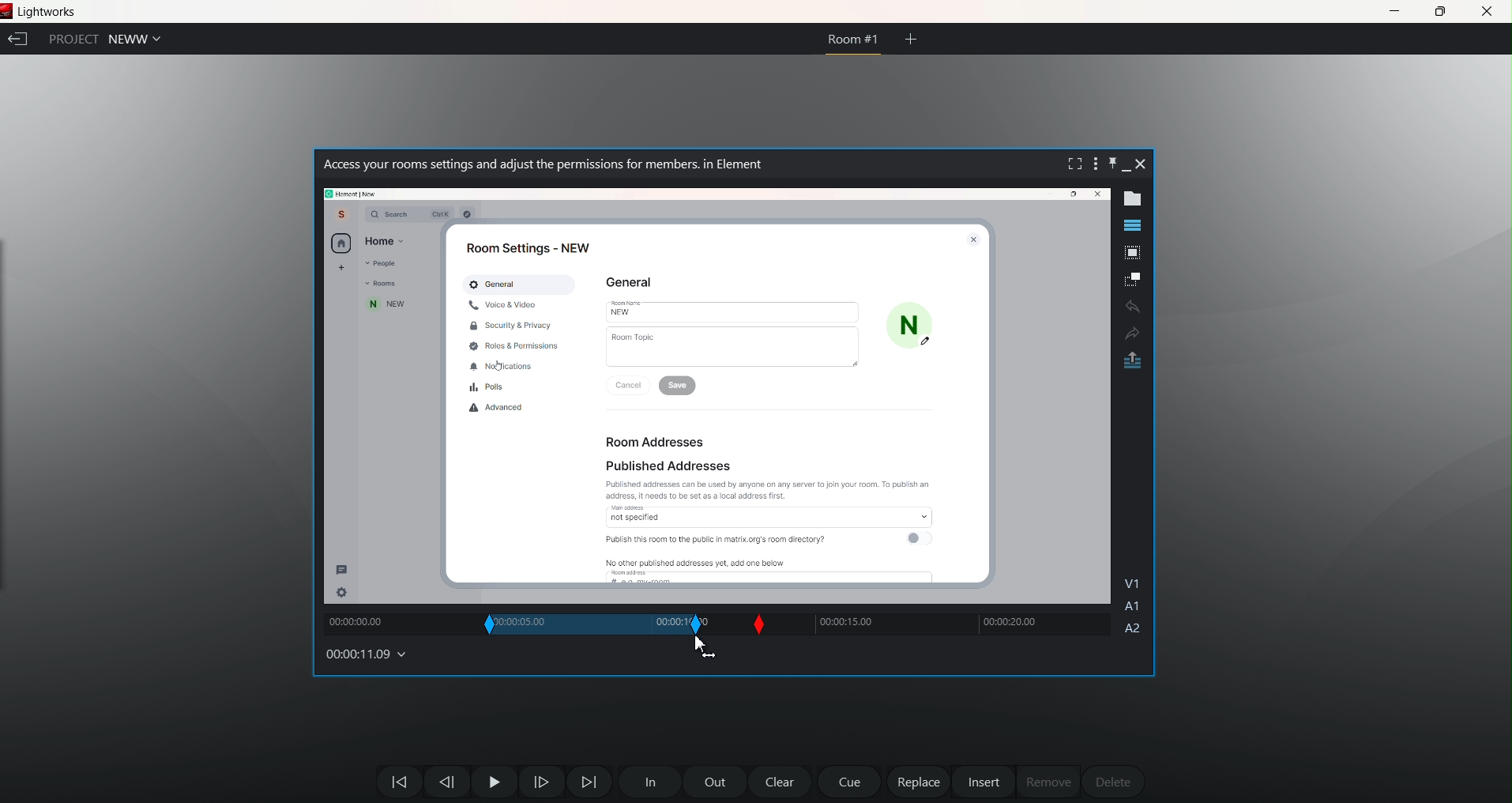 The width and height of the screenshot is (1512, 803). I want to click on Redo, so click(1131, 333).